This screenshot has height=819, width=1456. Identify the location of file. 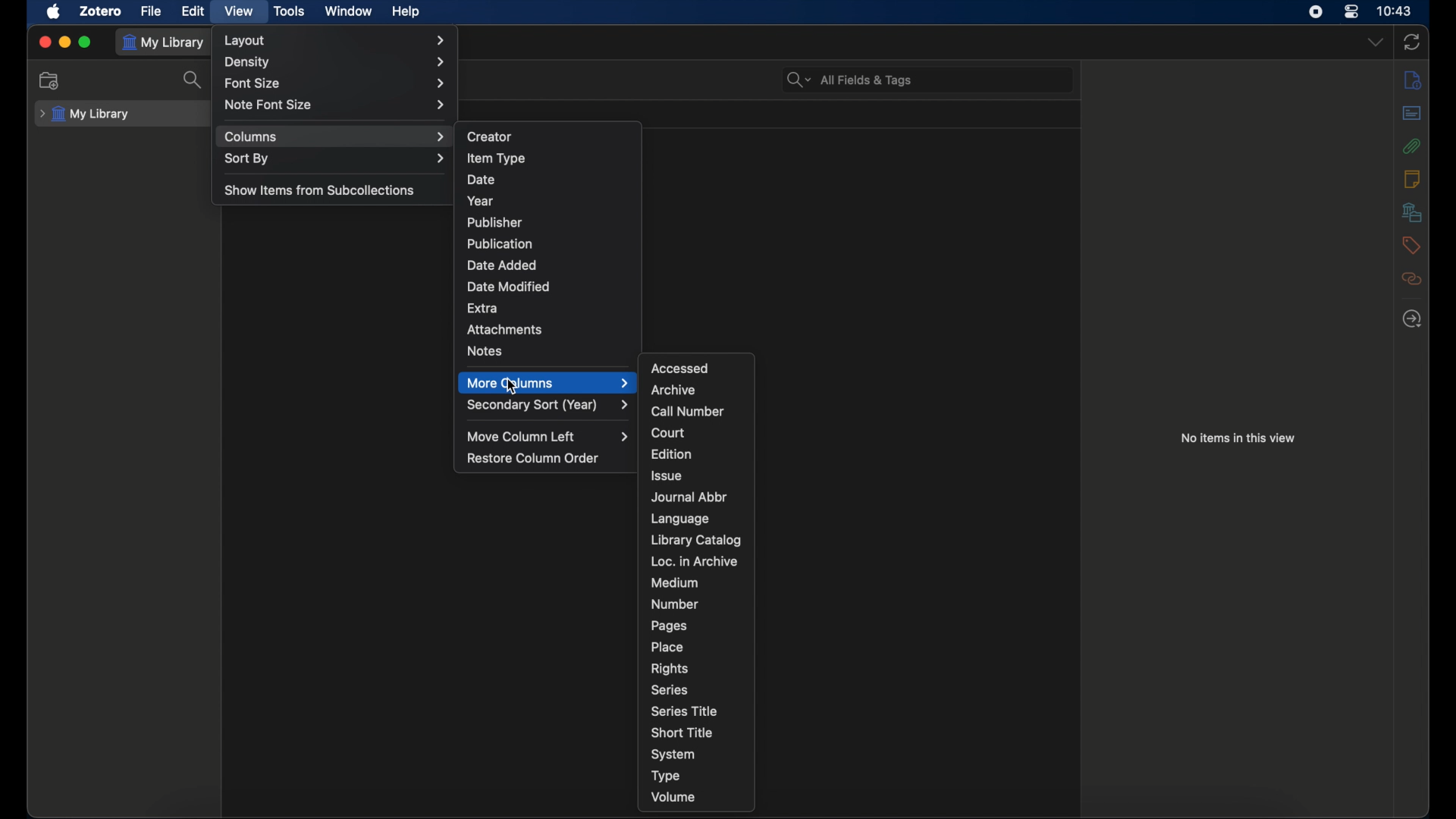
(153, 11).